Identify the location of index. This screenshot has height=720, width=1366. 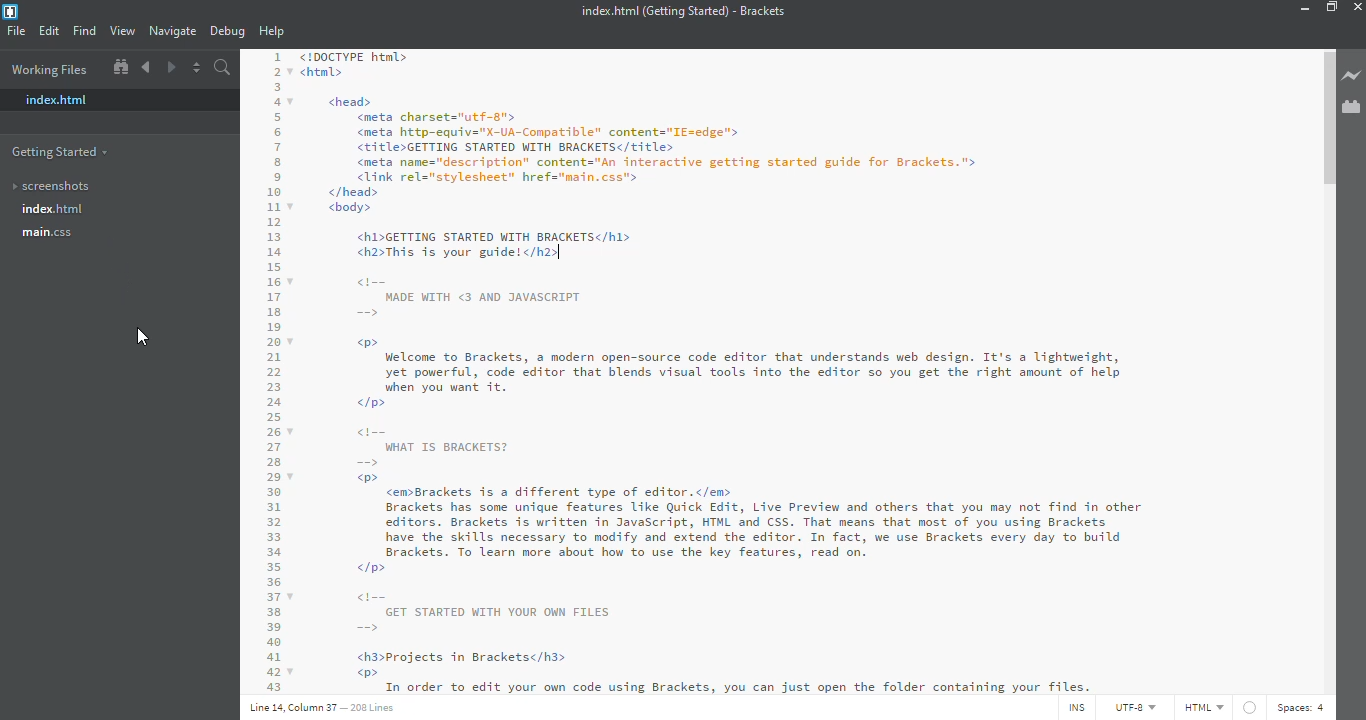
(55, 210).